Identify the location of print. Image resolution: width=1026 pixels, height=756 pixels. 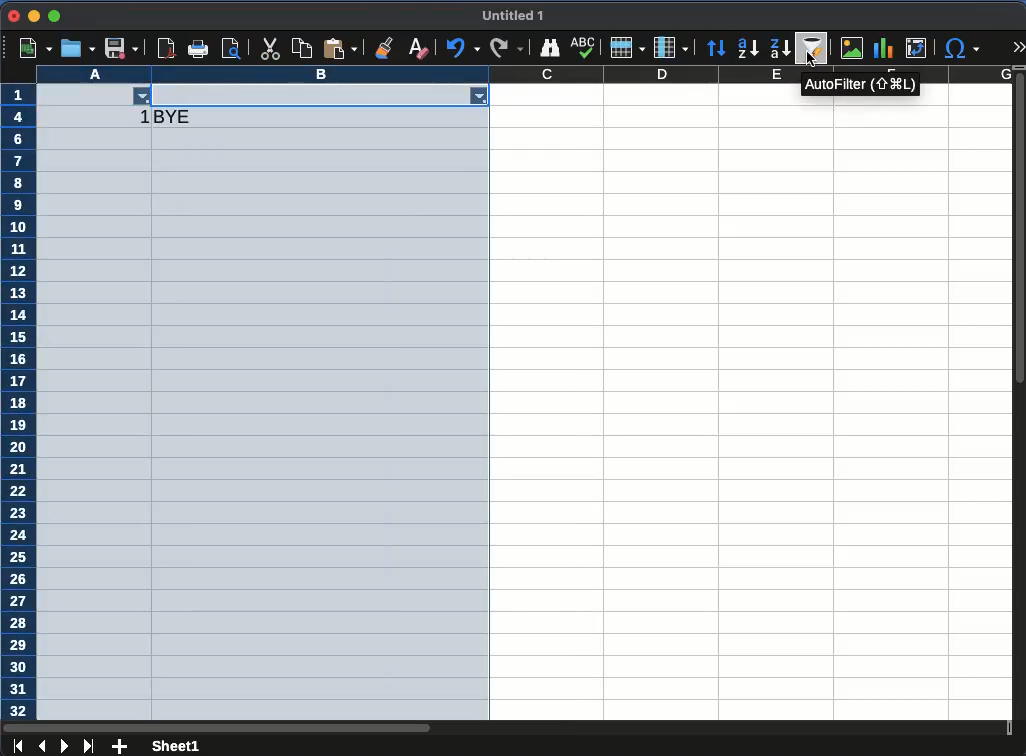
(199, 48).